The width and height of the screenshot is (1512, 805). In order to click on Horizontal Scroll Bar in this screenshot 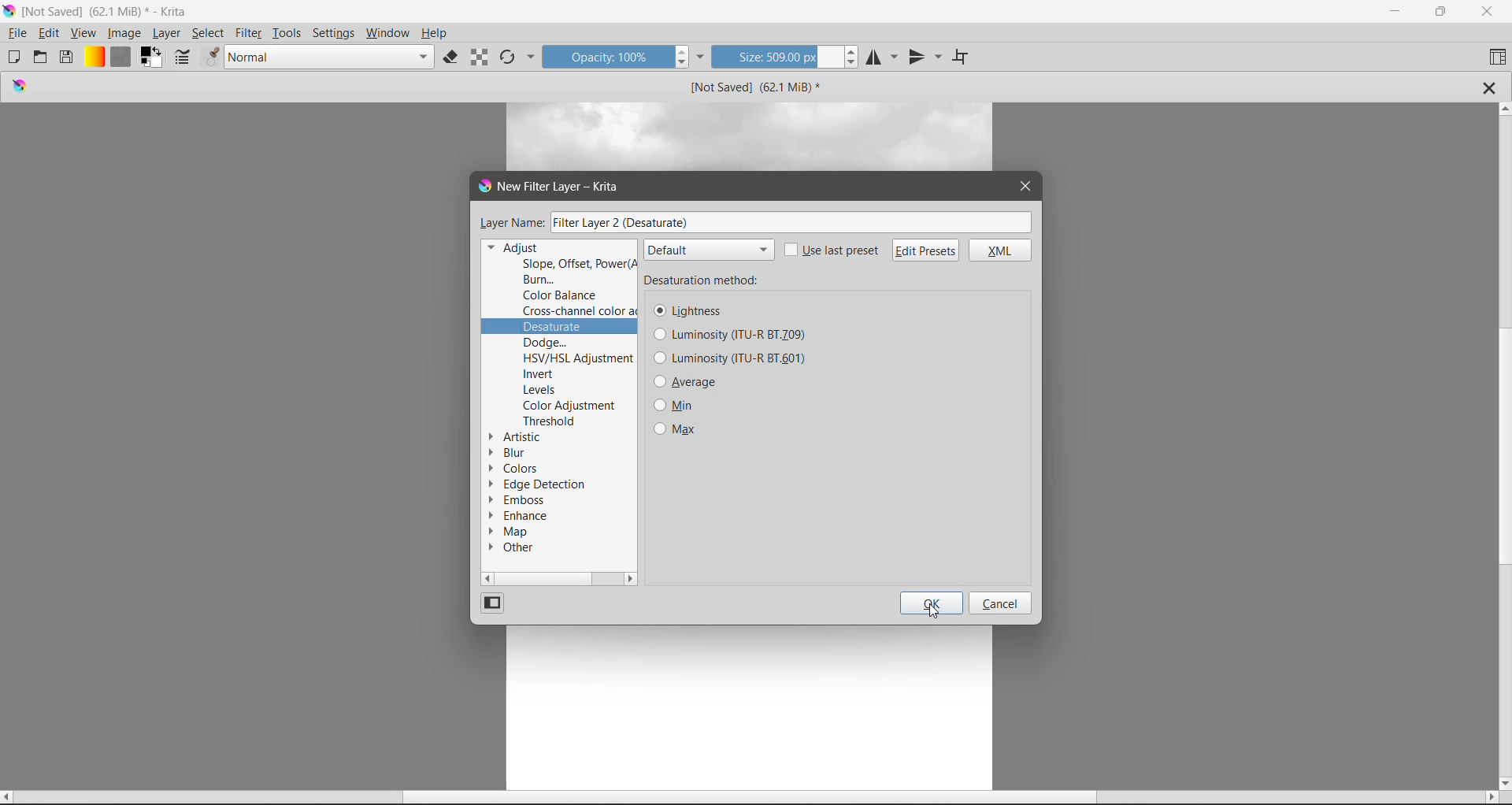, I will do `click(558, 578)`.